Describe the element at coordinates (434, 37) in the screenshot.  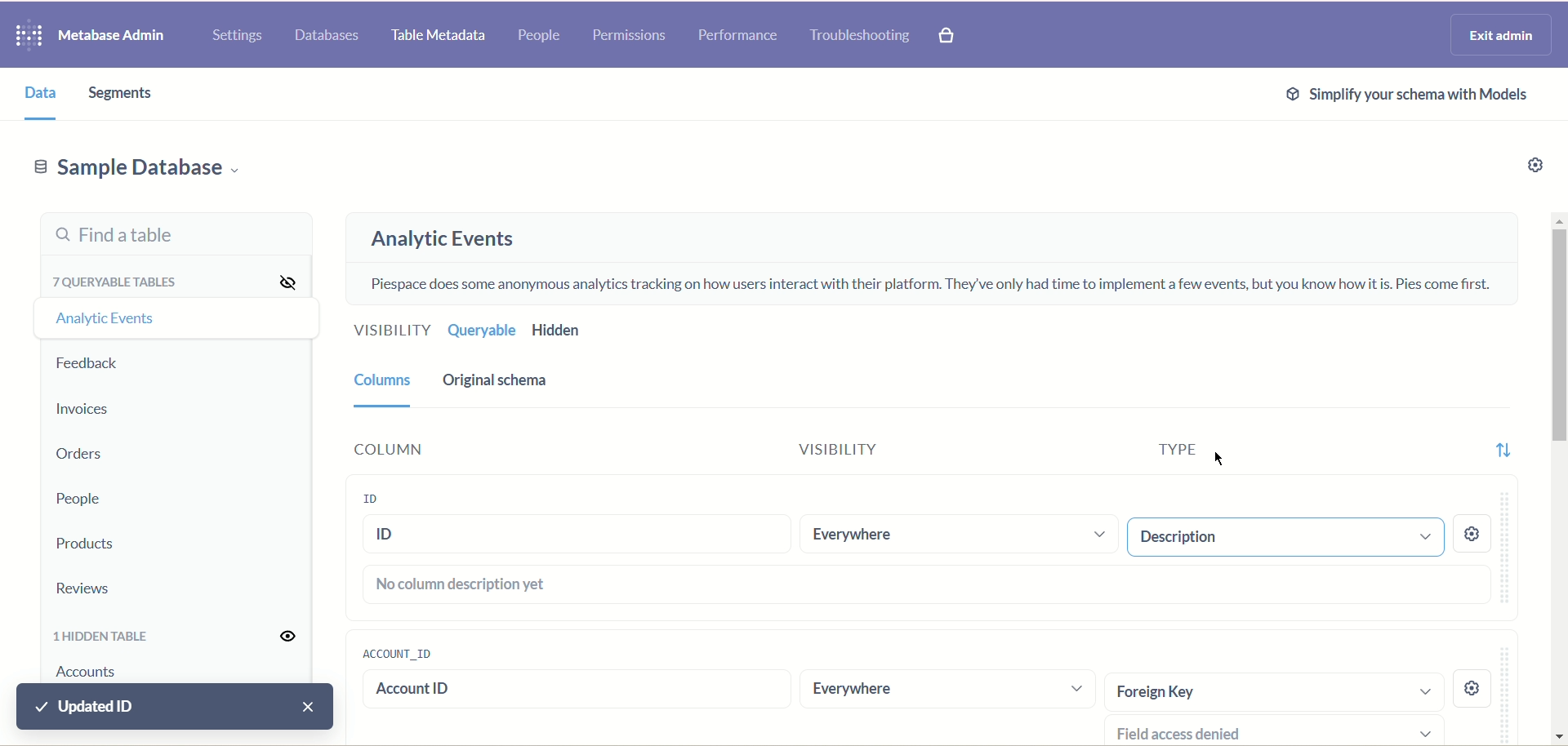
I see `table metadata` at that location.